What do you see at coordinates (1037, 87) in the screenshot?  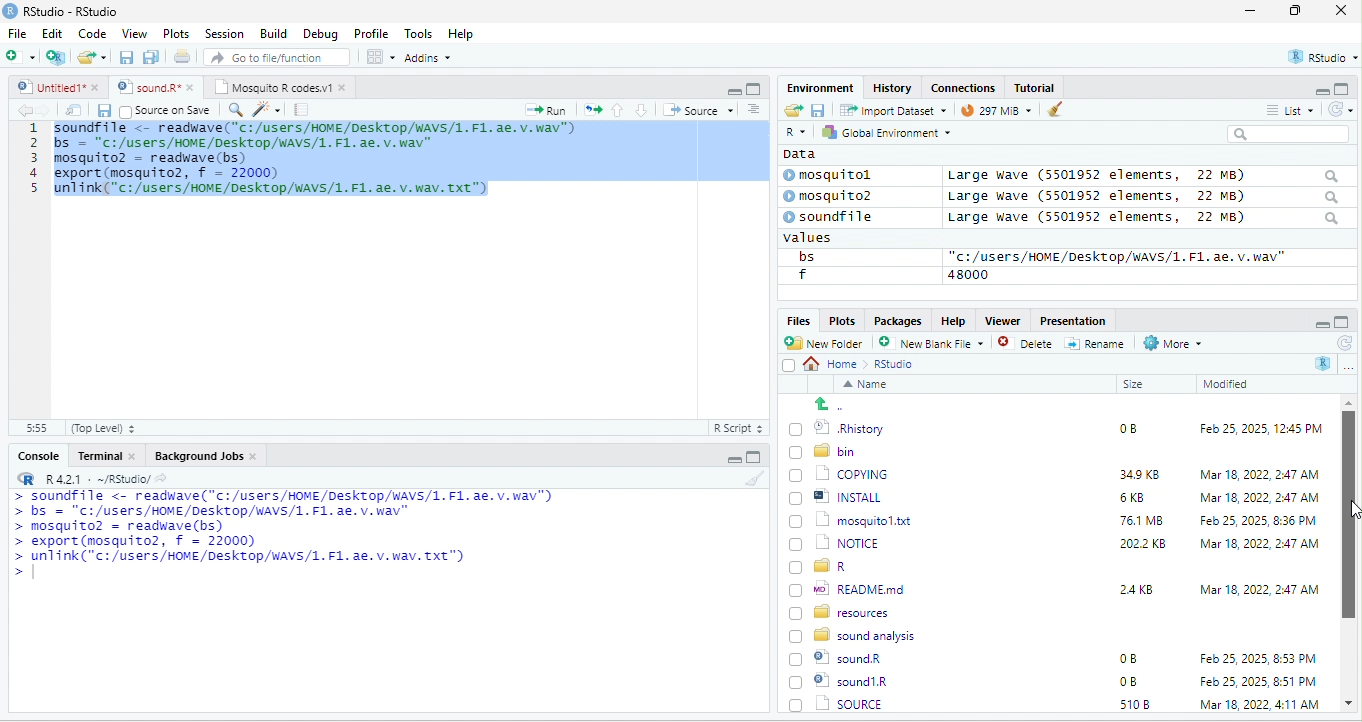 I see `Tutorial` at bounding box center [1037, 87].